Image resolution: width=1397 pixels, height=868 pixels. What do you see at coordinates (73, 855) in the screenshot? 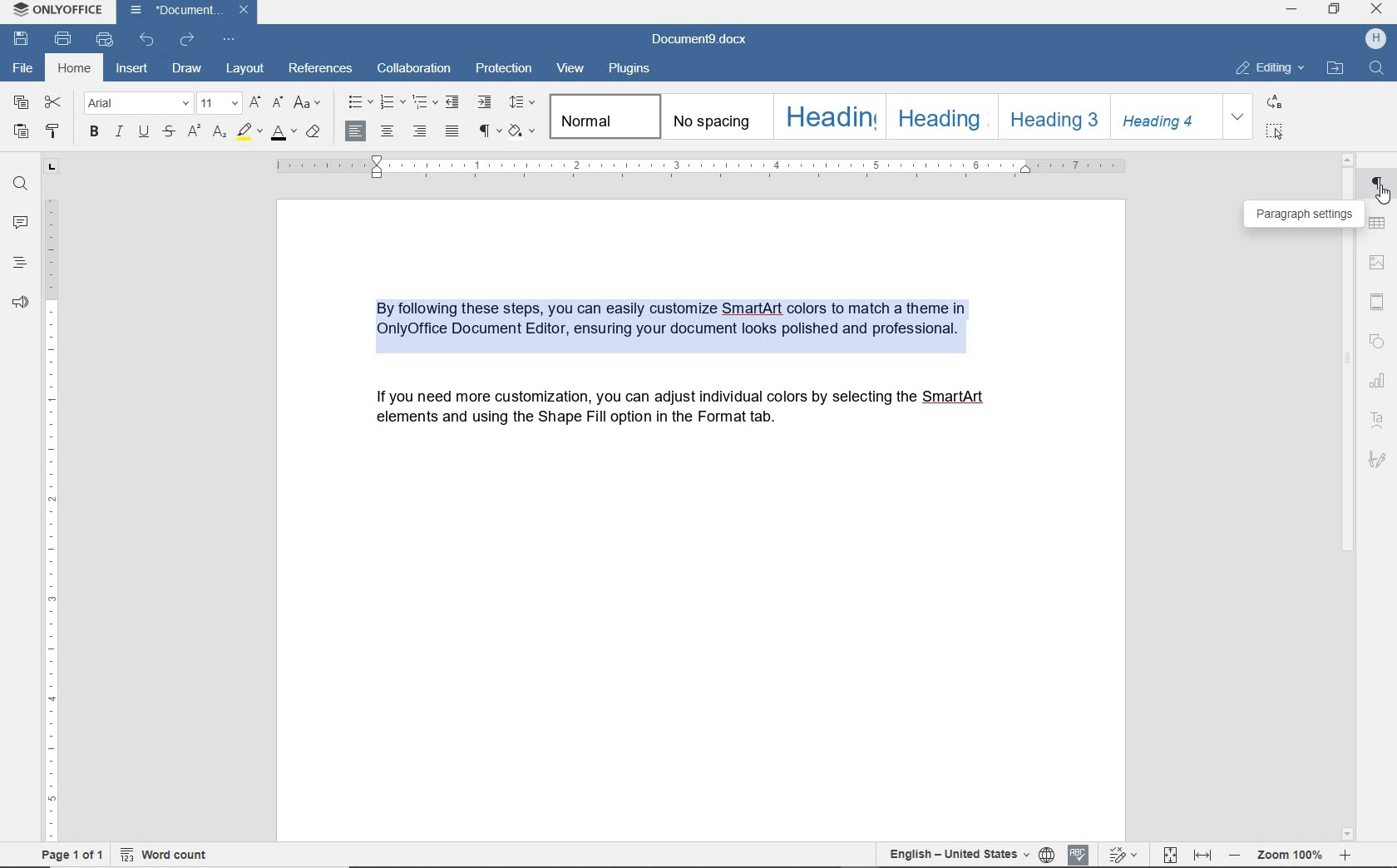
I see `page 1 of 1` at bounding box center [73, 855].